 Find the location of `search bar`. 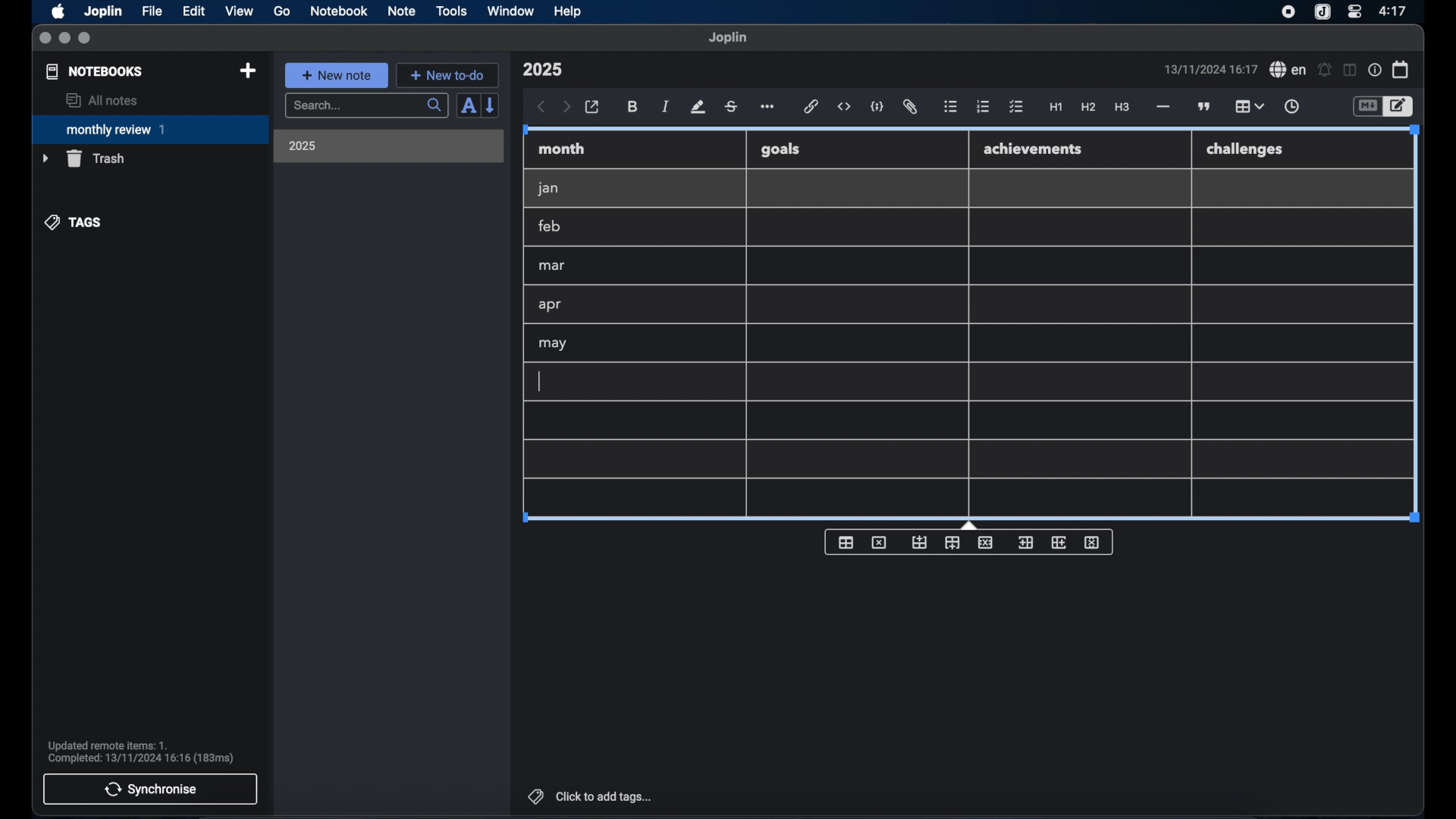

search bar is located at coordinates (366, 107).